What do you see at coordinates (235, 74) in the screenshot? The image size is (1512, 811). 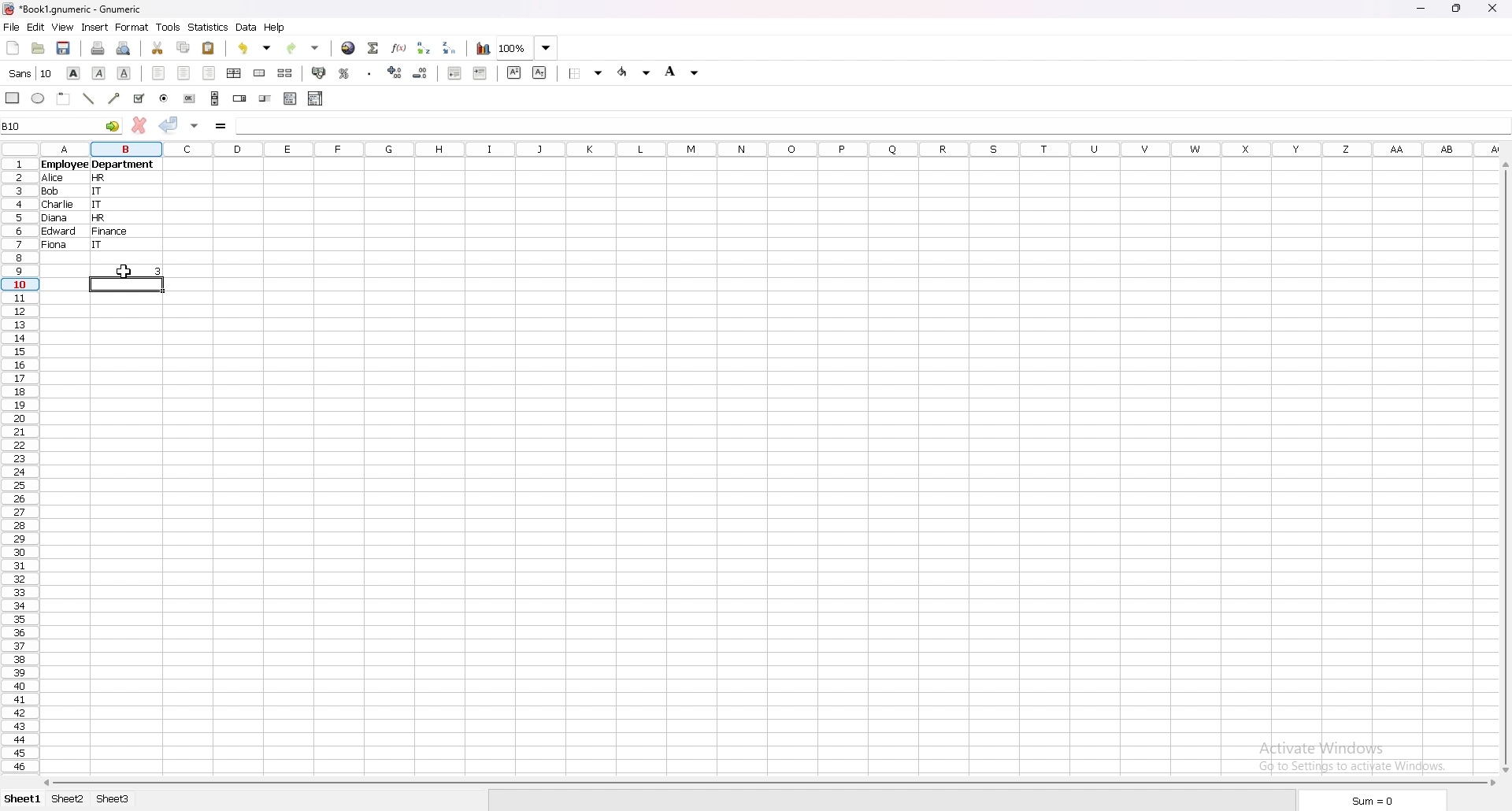 I see `centre horizontally` at bounding box center [235, 74].